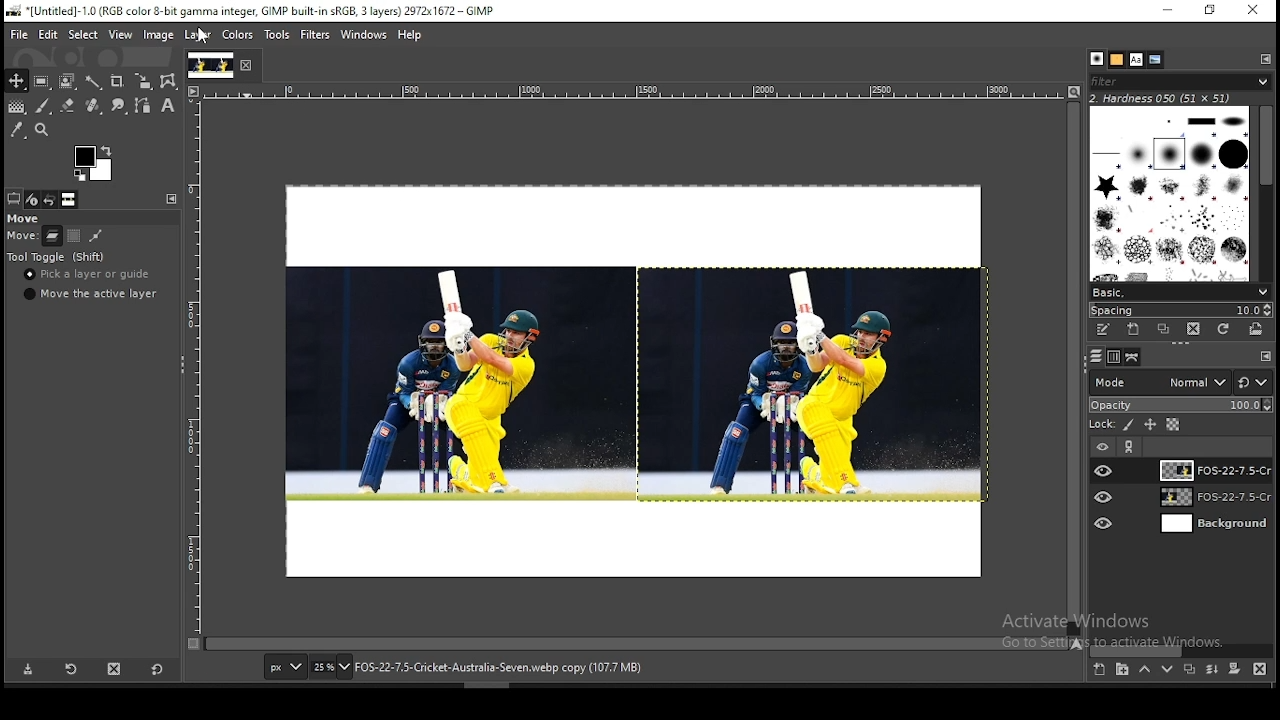  I want to click on blend mode, so click(1180, 382).